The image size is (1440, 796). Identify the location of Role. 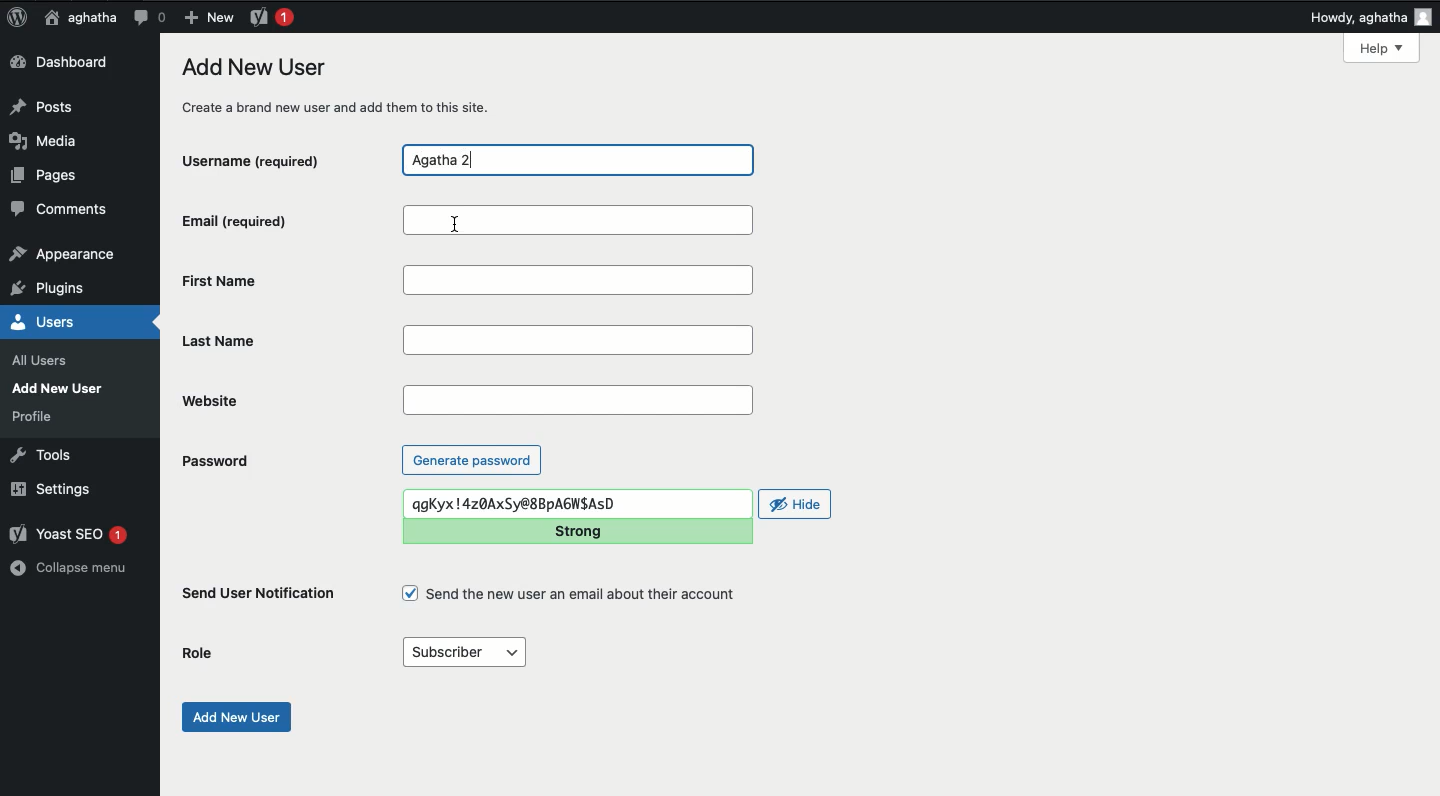
(202, 653).